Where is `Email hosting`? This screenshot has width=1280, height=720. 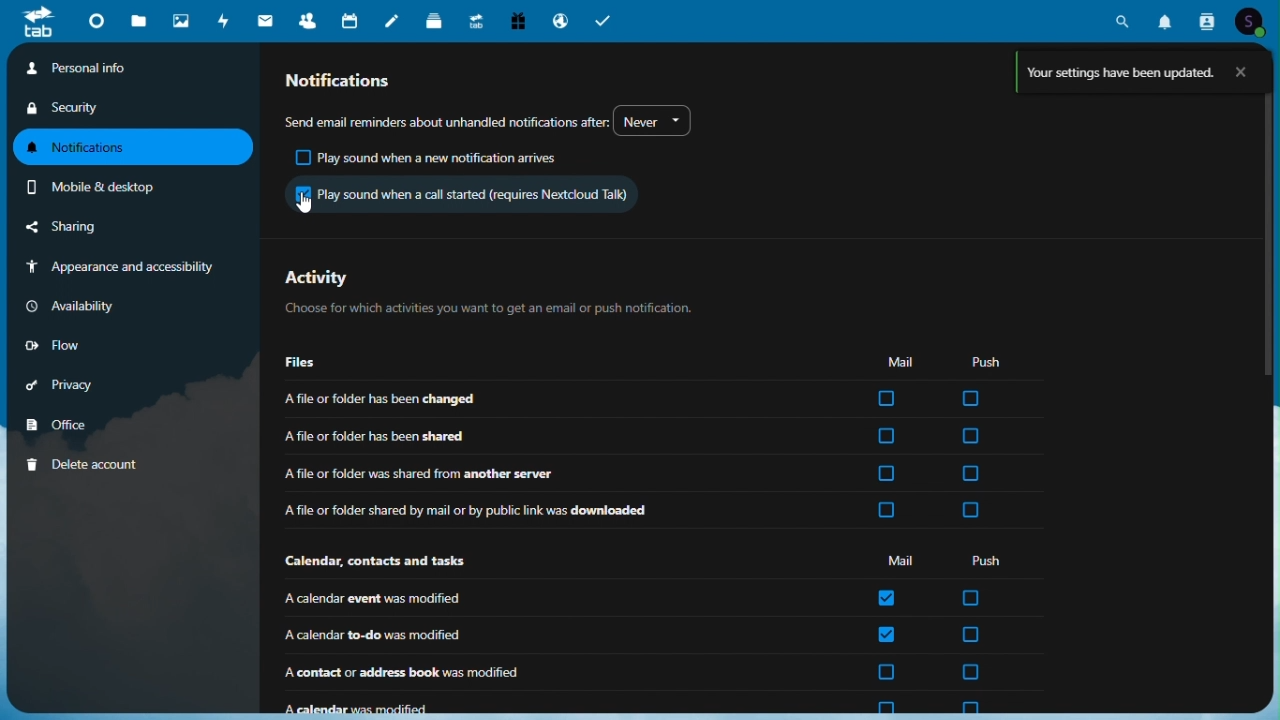 Email hosting is located at coordinates (562, 19).